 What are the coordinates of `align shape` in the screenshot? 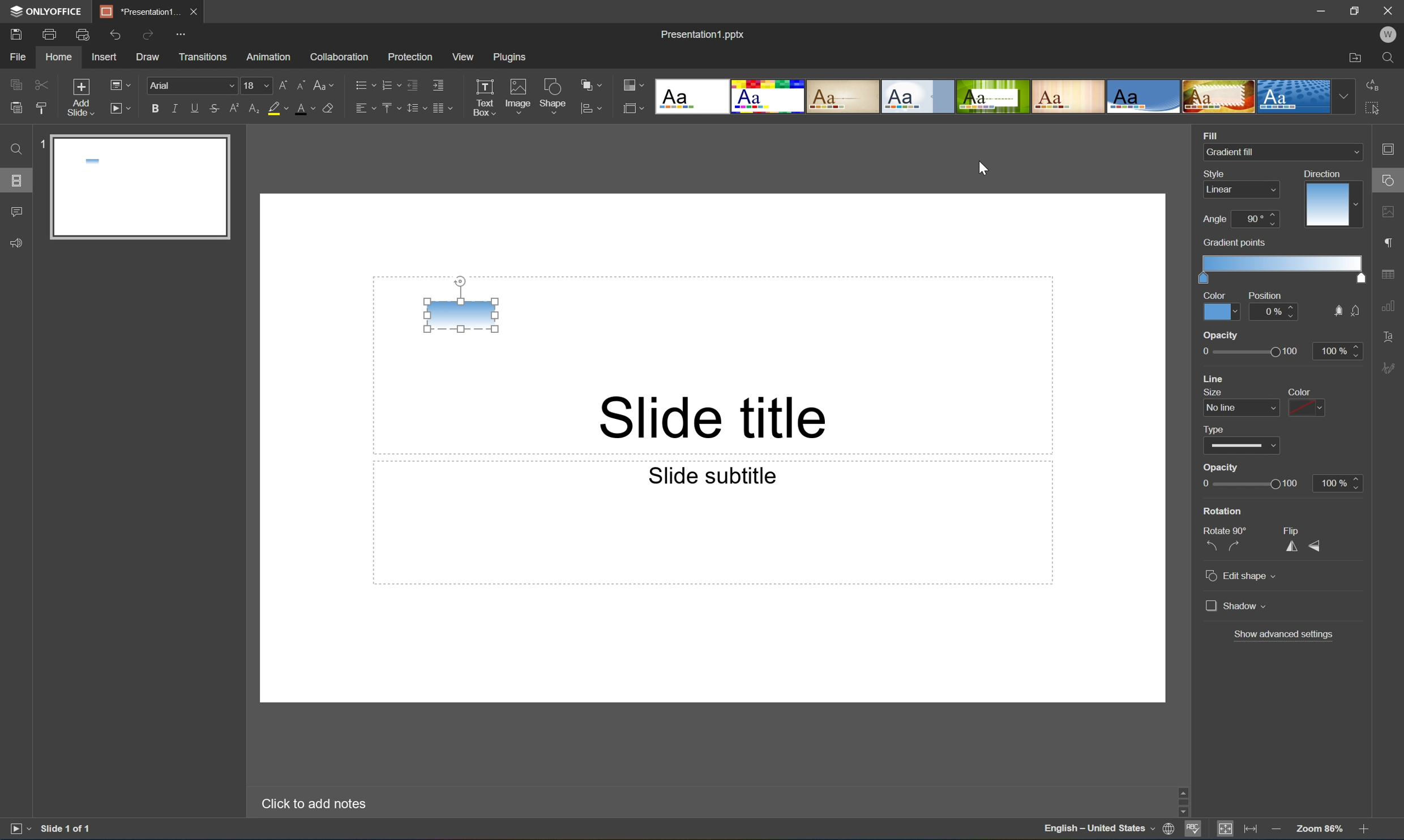 It's located at (593, 109).